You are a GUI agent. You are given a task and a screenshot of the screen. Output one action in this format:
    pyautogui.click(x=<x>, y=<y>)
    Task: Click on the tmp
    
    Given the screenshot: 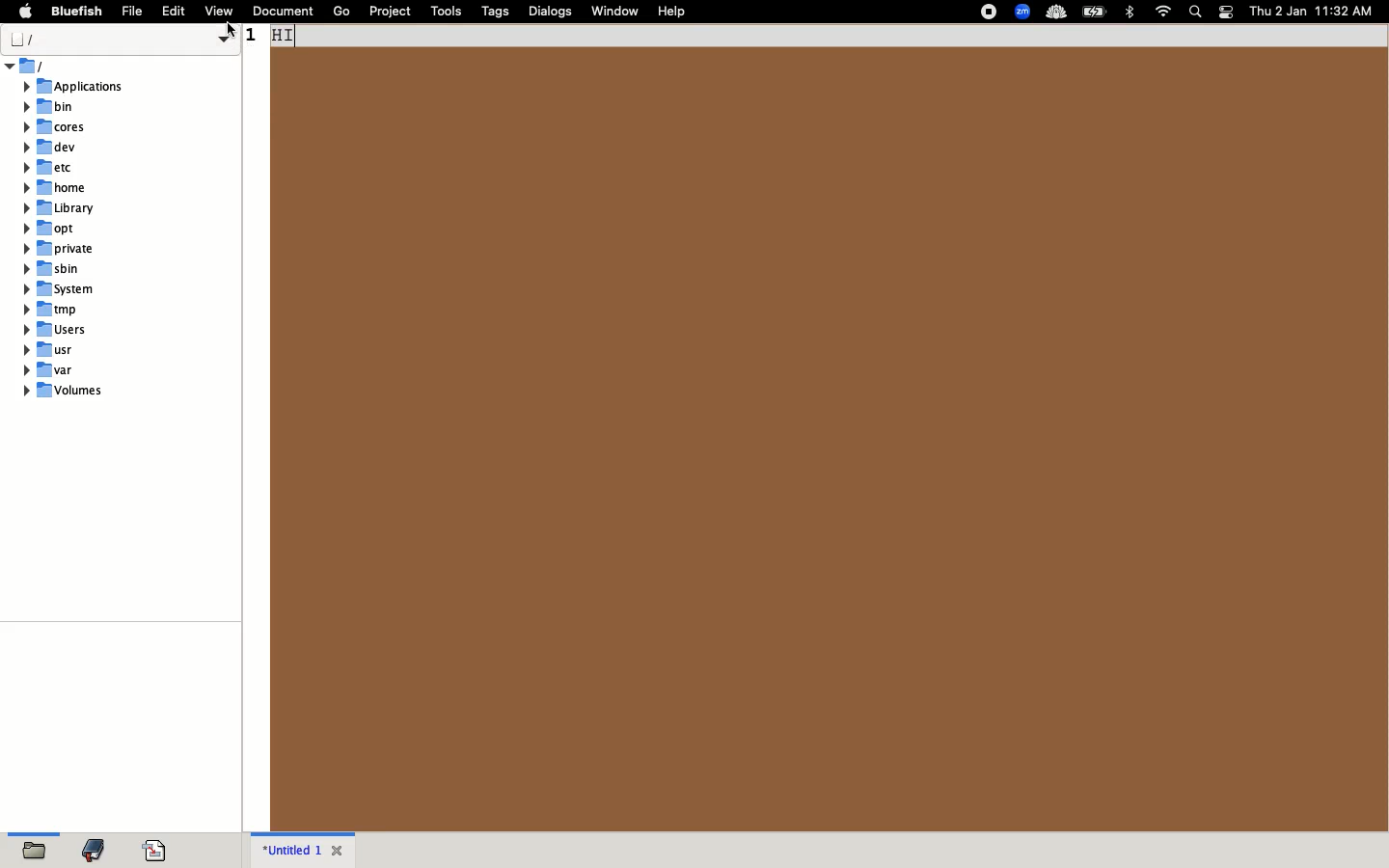 What is the action you would take?
    pyautogui.click(x=49, y=309)
    